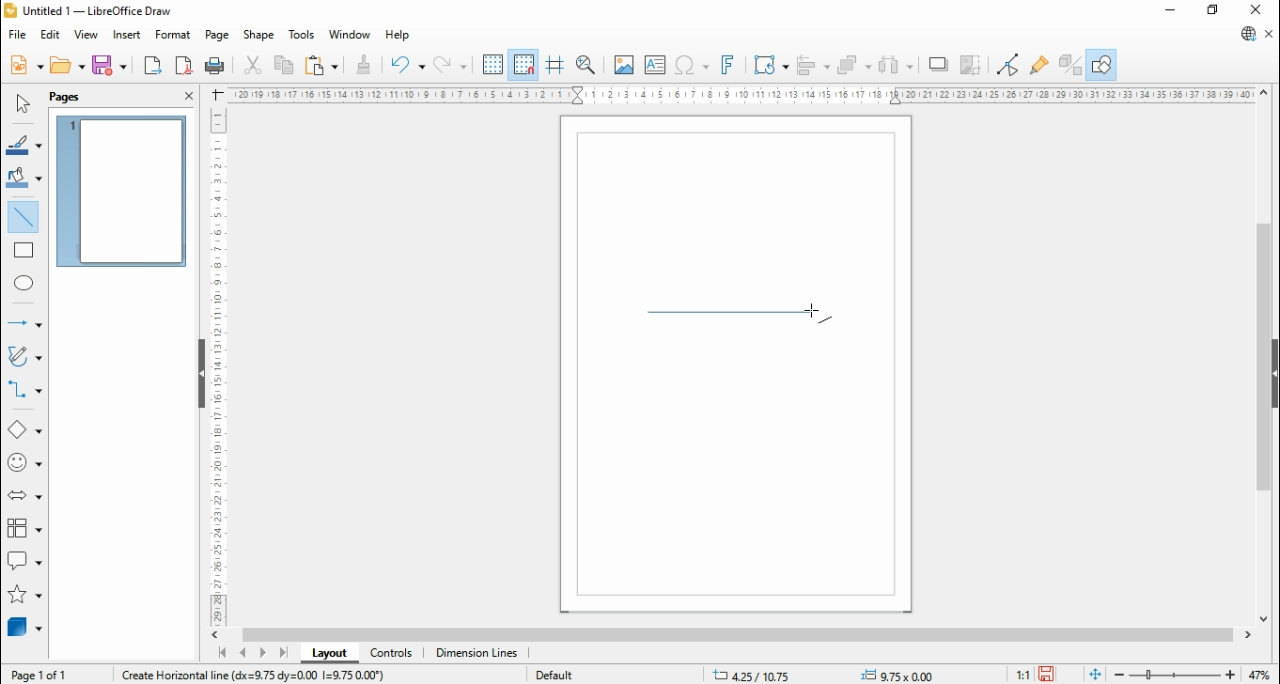  What do you see at coordinates (327, 652) in the screenshot?
I see `layout` at bounding box center [327, 652].